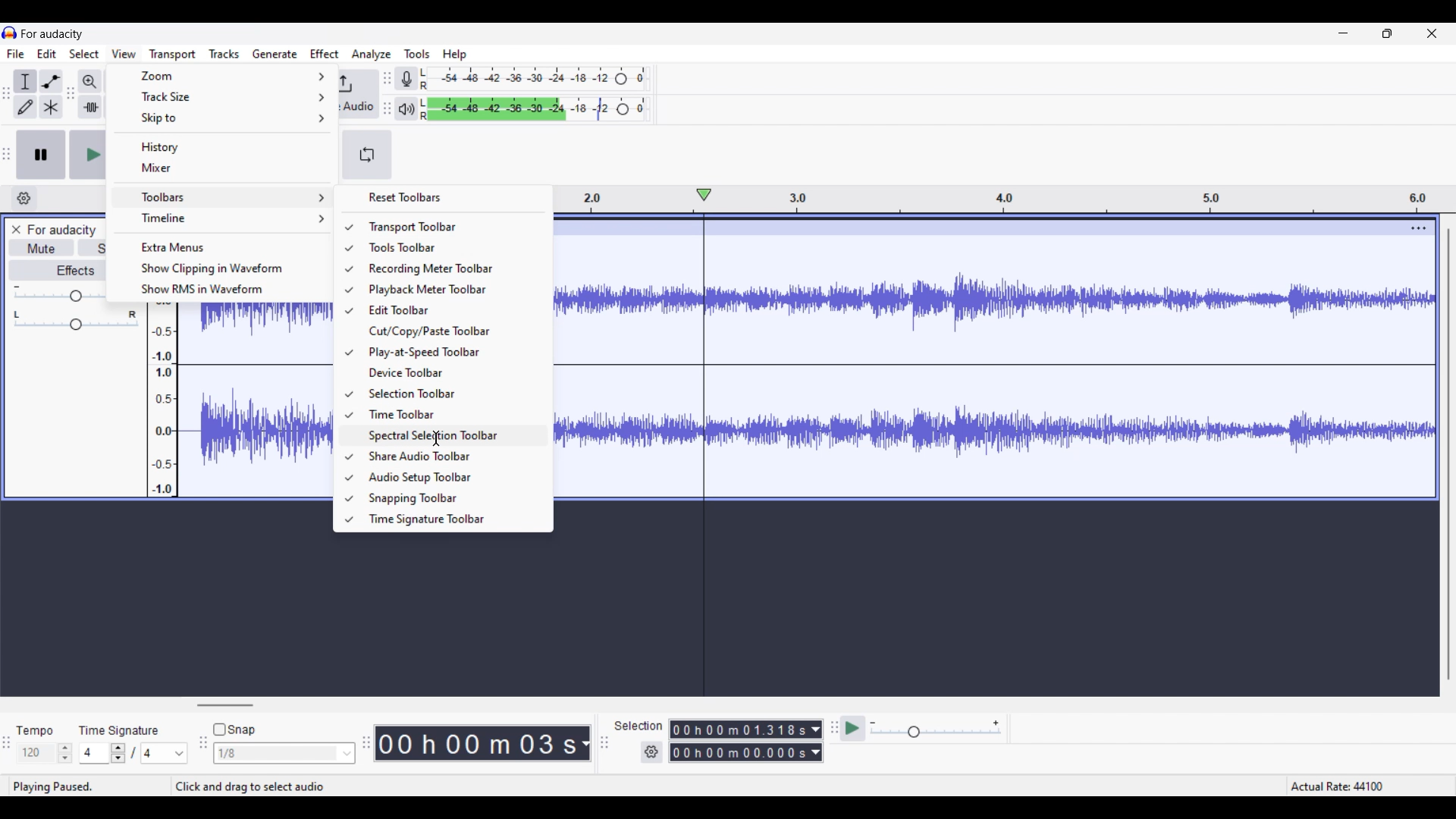  I want to click on View menu, so click(124, 53).